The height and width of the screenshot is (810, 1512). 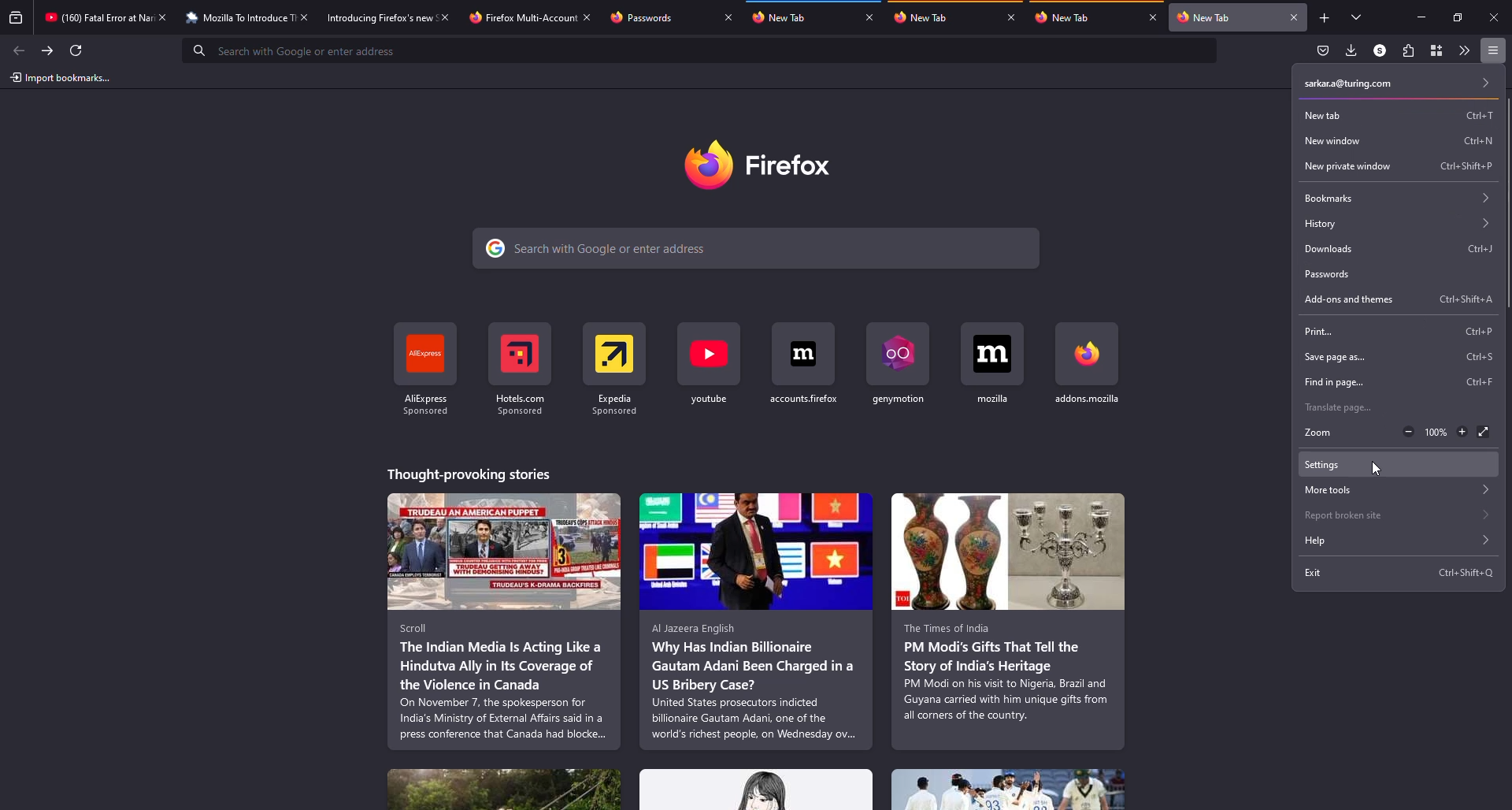 I want to click on shortcut, so click(x=710, y=368).